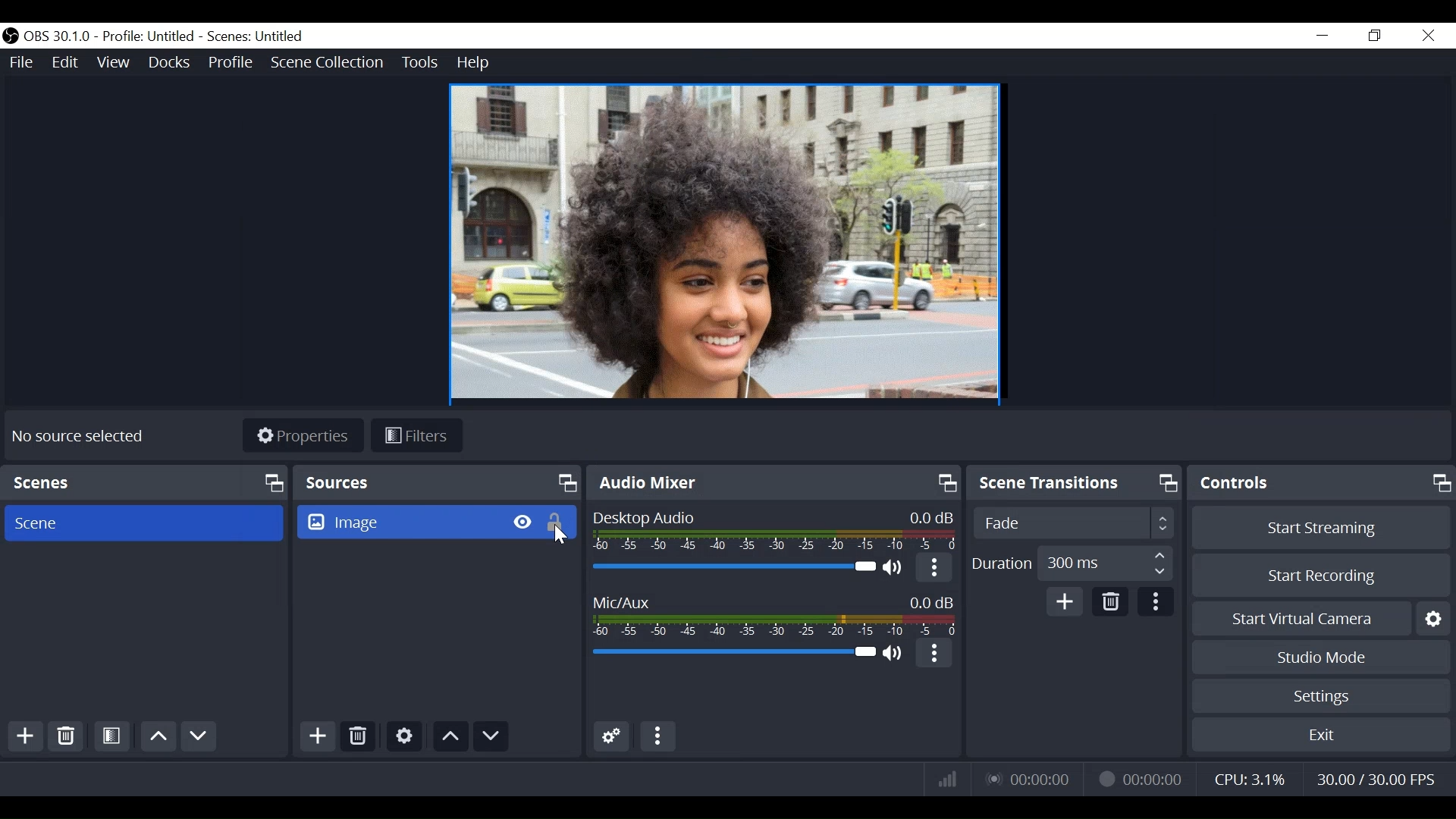  What do you see at coordinates (556, 522) in the screenshot?
I see `(un)lock` at bounding box center [556, 522].